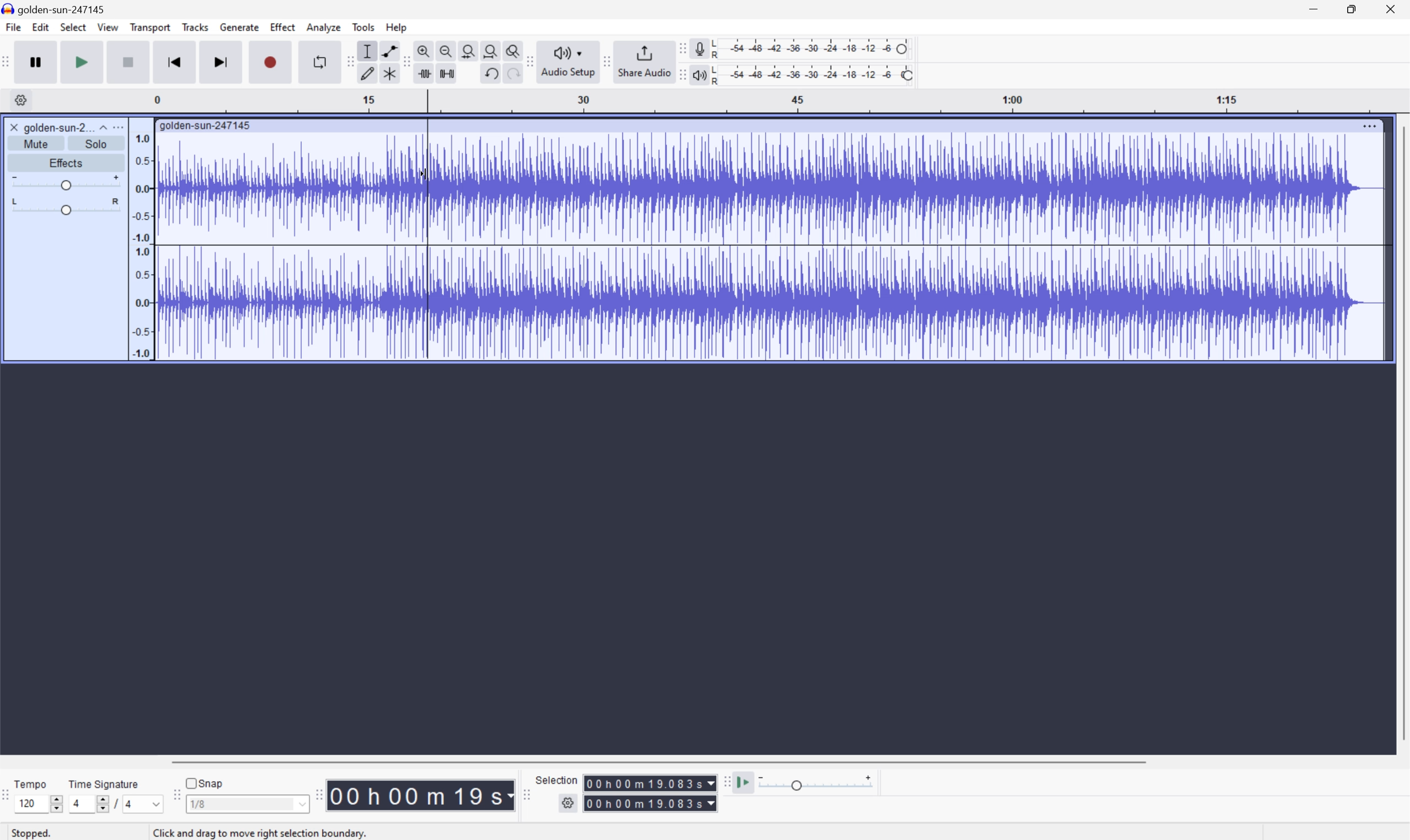  Describe the element at coordinates (130, 63) in the screenshot. I see `Stop` at that location.